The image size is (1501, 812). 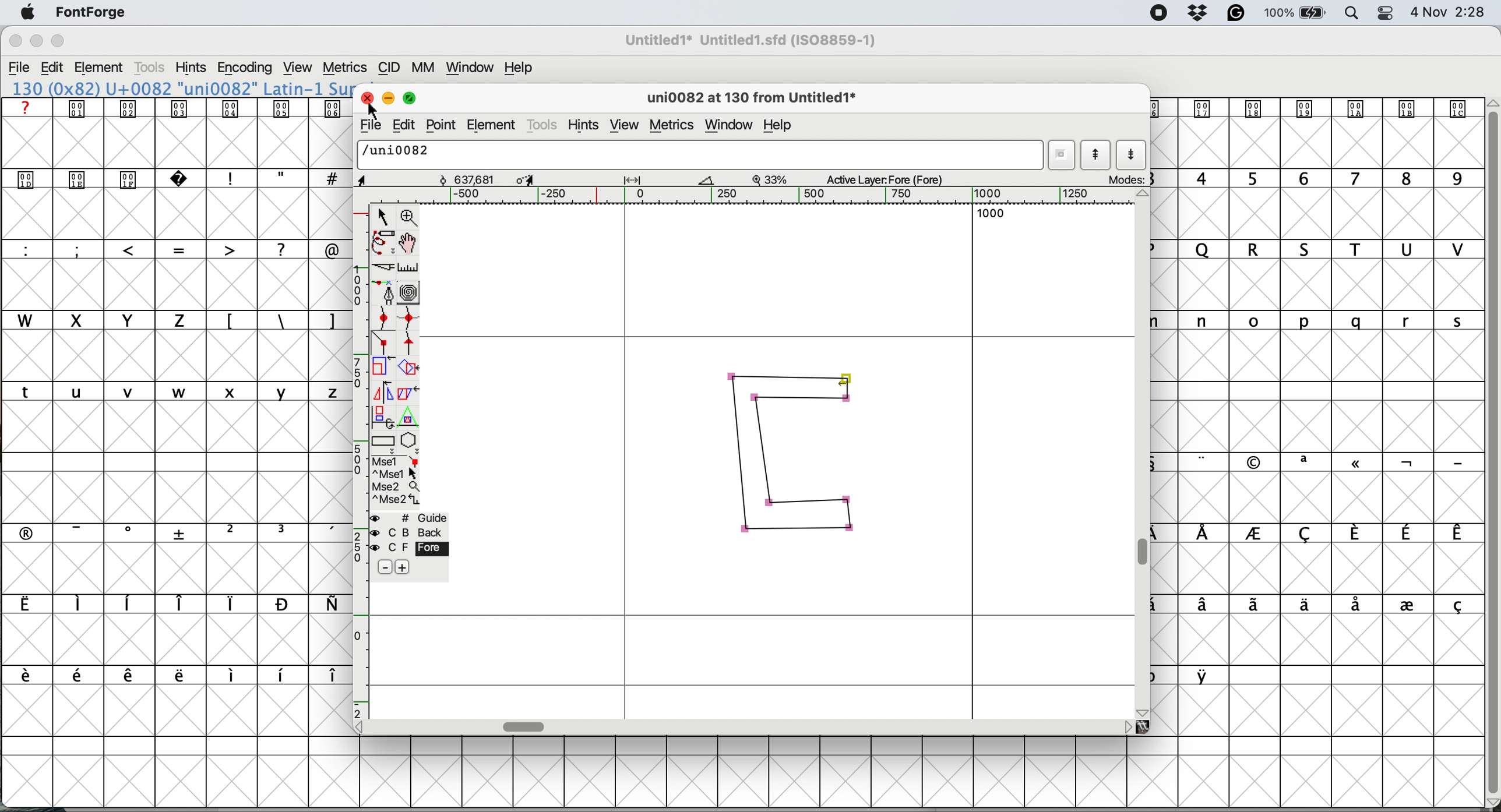 I want to click on current word list, so click(x=1060, y=155).